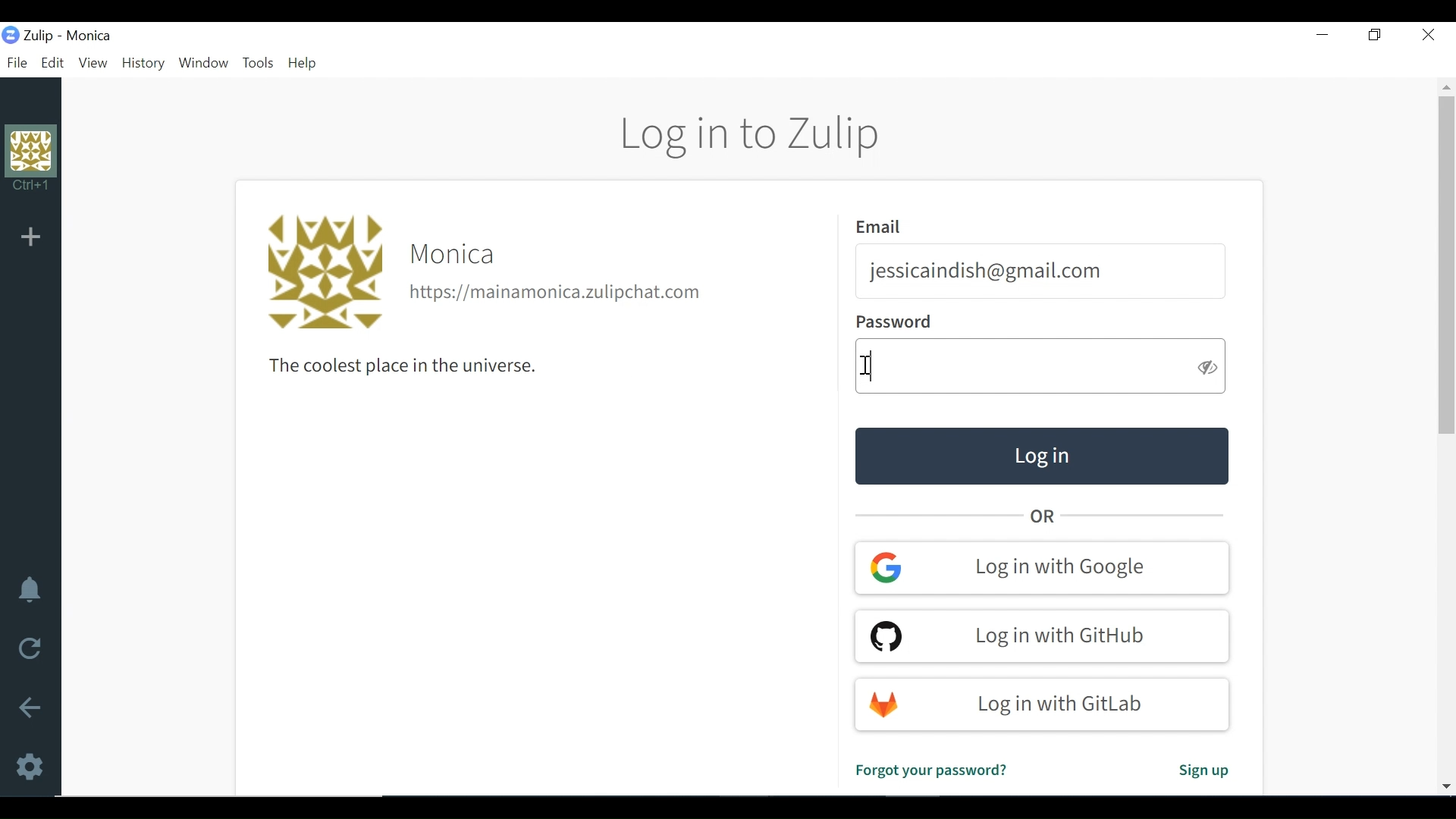  Describe the element at coordinates (322, 272) in the screenshot. I see `Profile photo` at that location.